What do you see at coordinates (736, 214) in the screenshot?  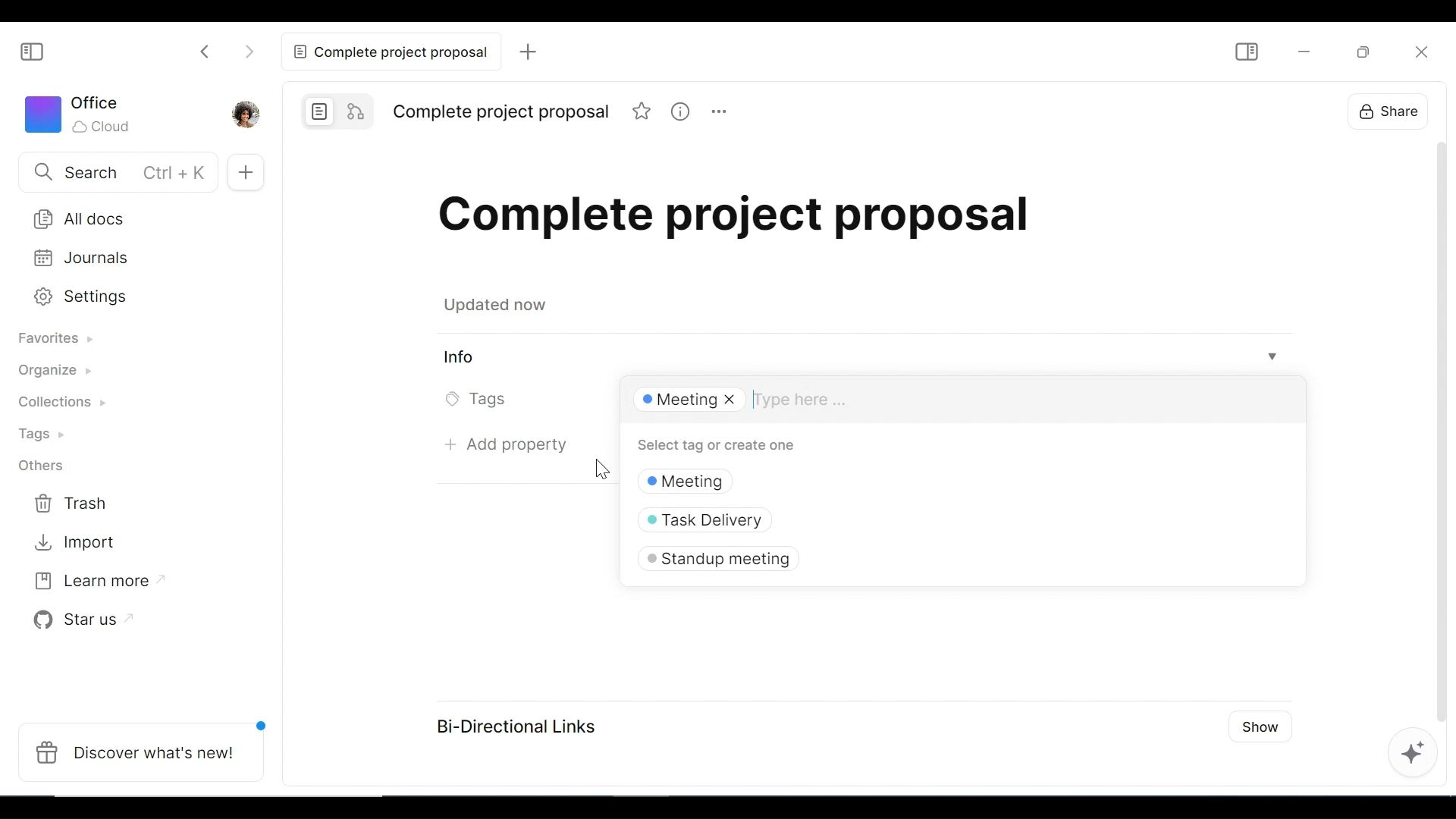 I see `Title` at bounding box center [736, 214].